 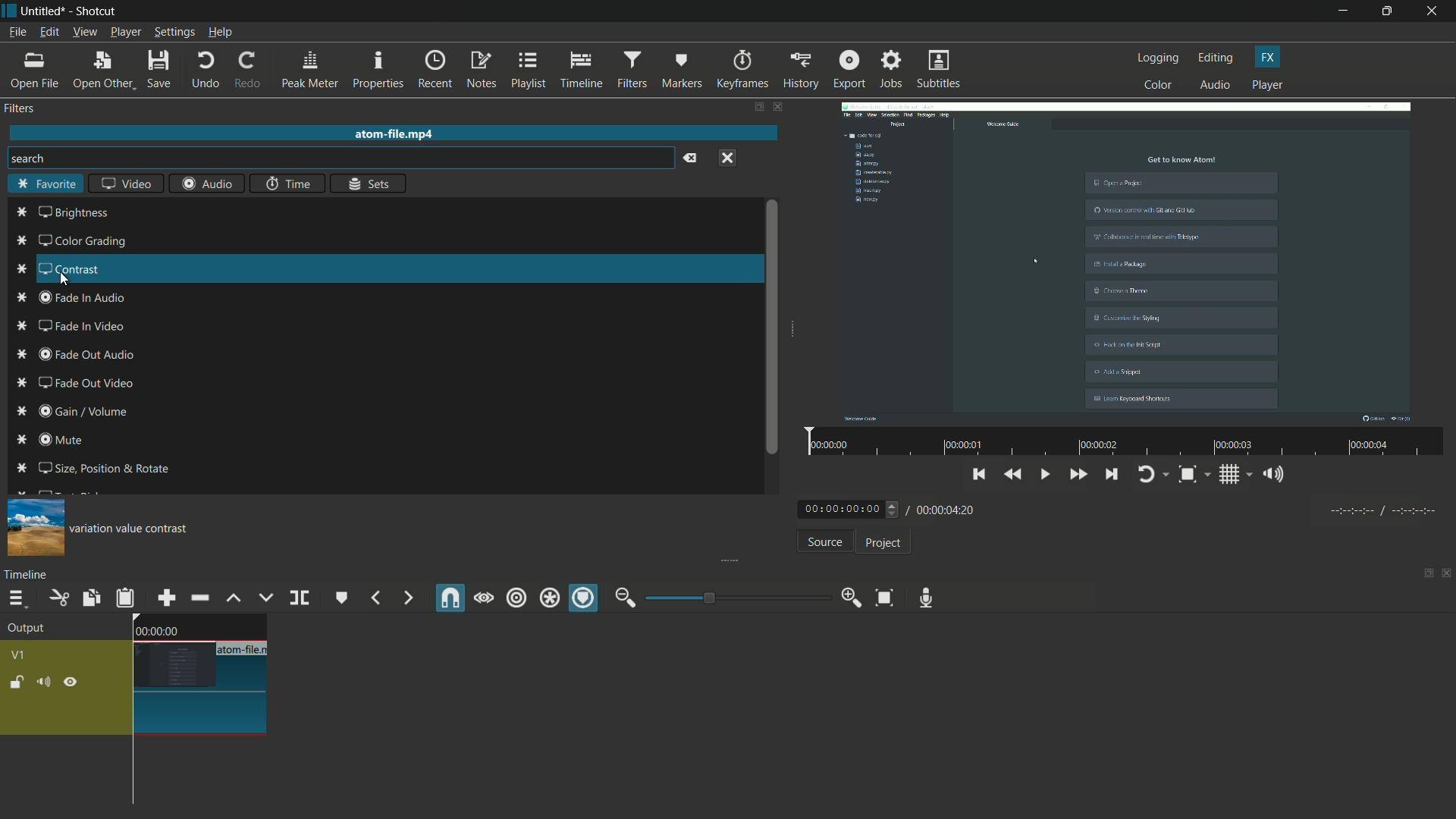 What do you see at coordinates (1434, 11) in the screenshot?
I see `close app` at bounding box center [1434, 11].